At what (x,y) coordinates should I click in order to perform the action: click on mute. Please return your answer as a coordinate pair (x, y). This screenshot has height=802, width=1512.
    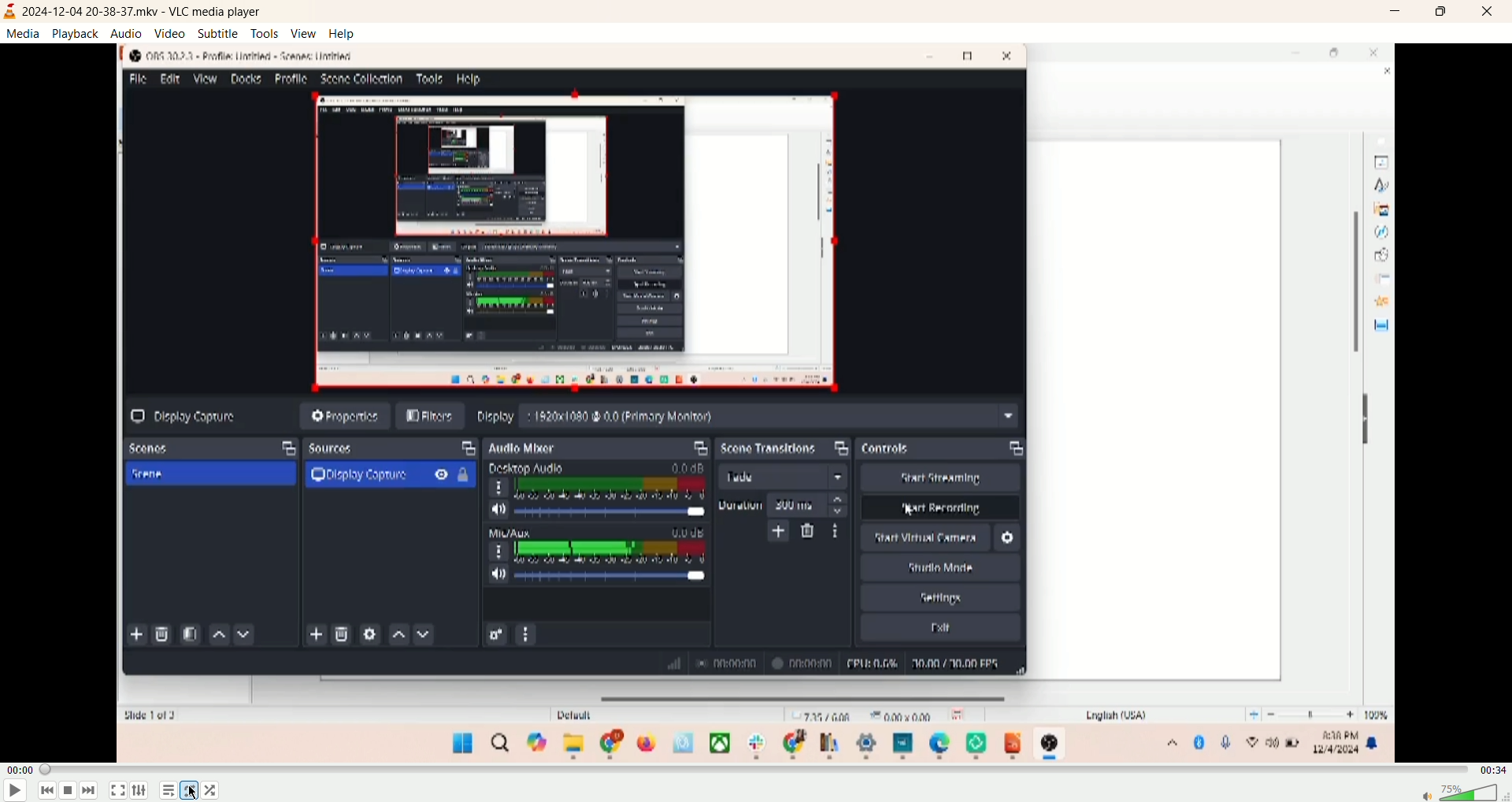
    Looking at the image, I should click on (1420, 794).